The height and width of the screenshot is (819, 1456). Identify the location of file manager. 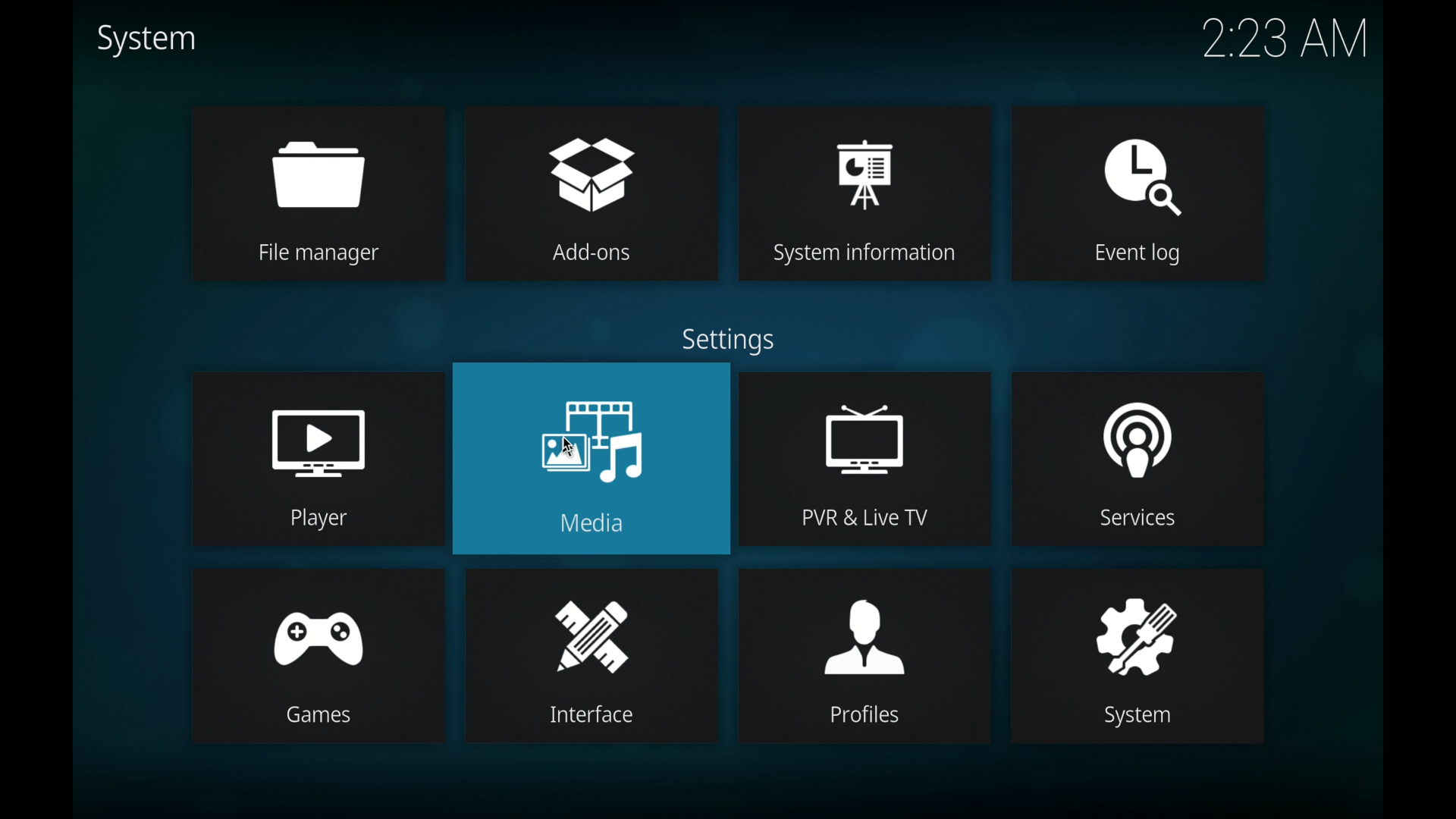
(328, 160).